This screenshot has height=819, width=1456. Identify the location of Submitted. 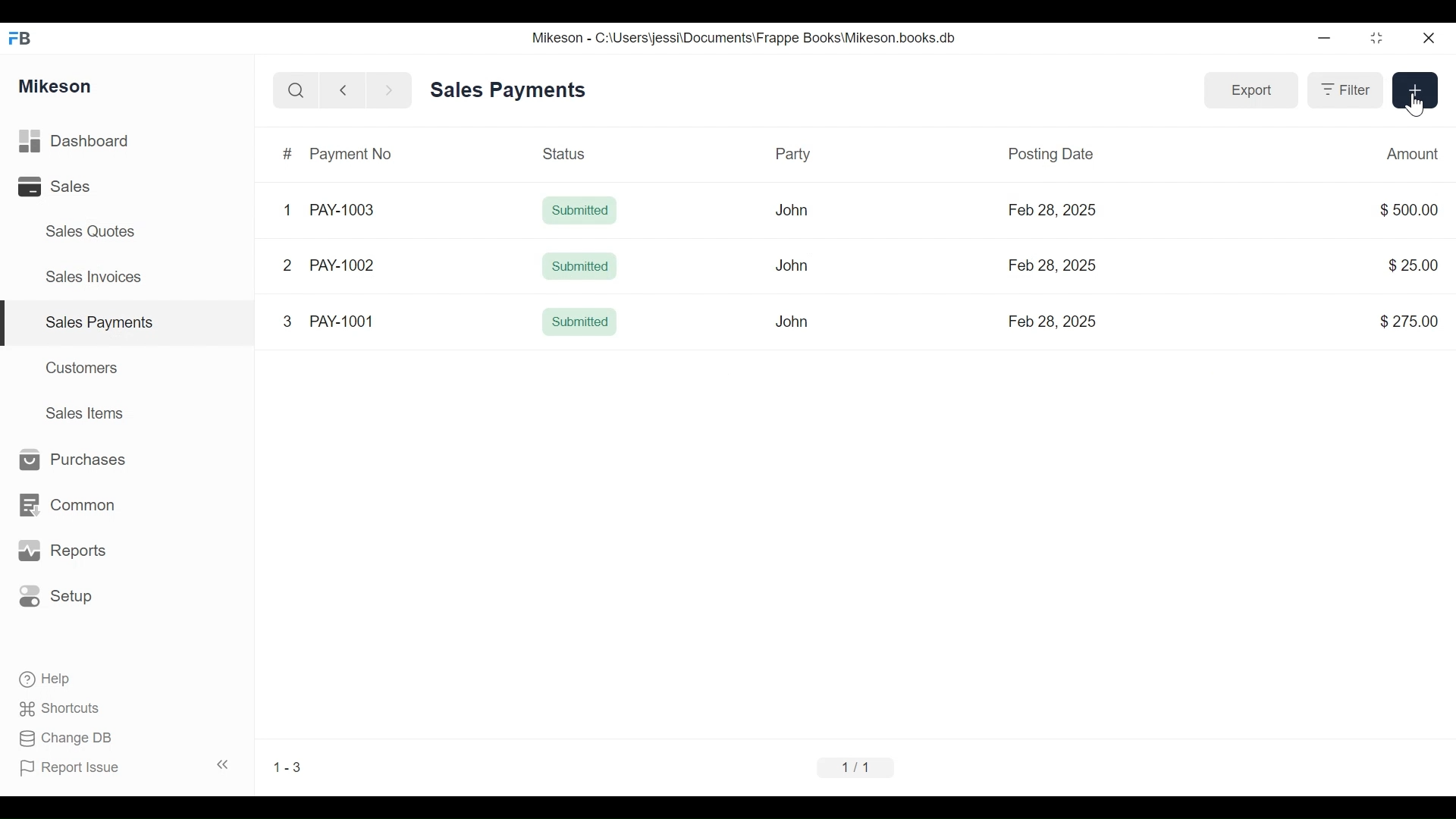
(582, 324).